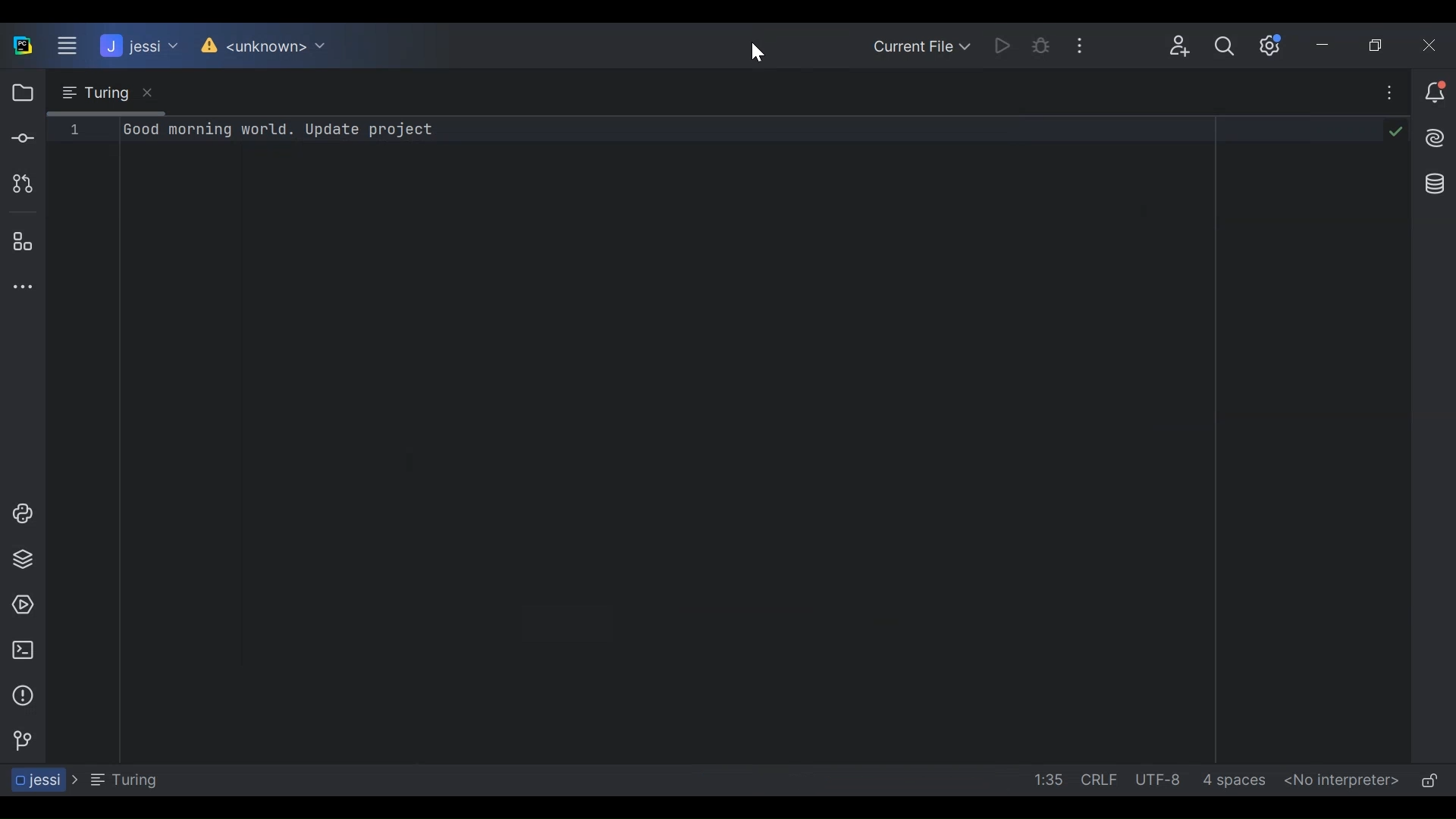  I want to click on Cursor, so click(754, 50).